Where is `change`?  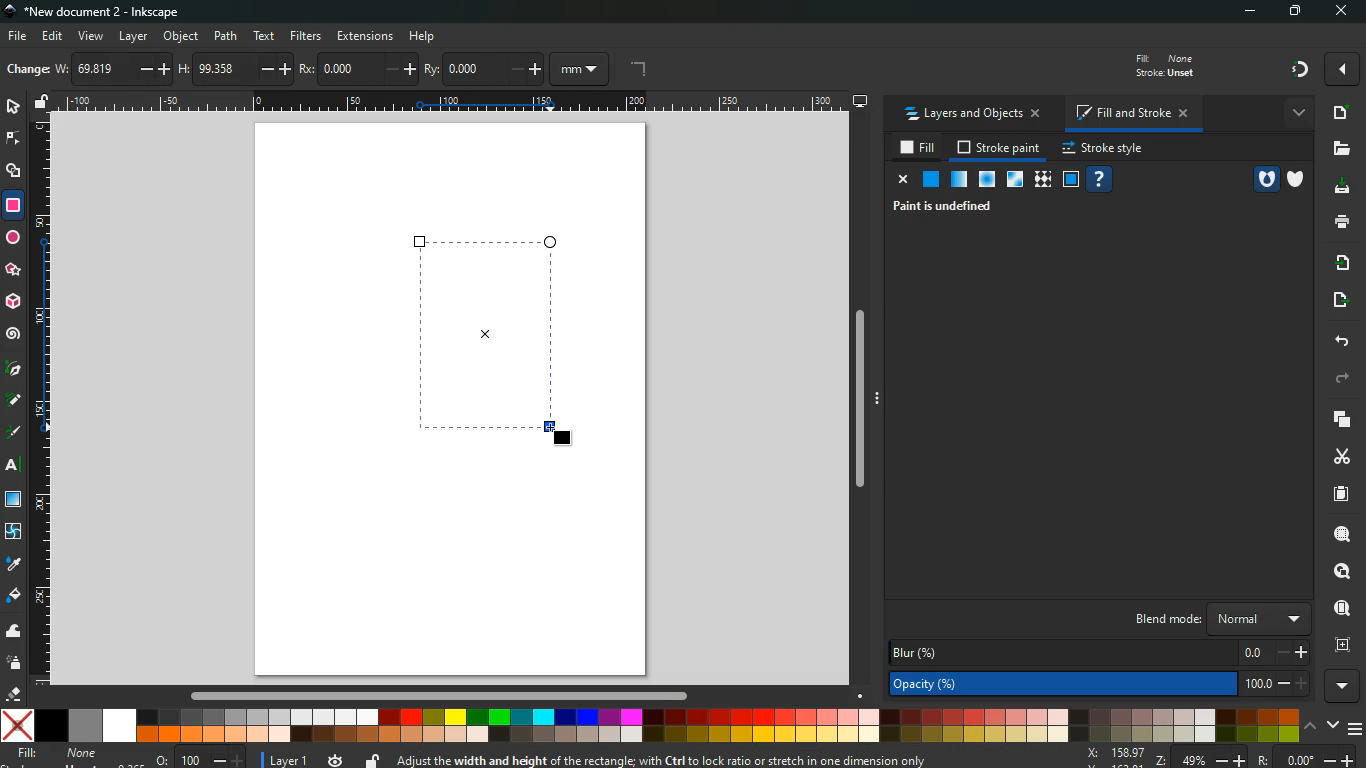
change is located at coordinates (27, 69).